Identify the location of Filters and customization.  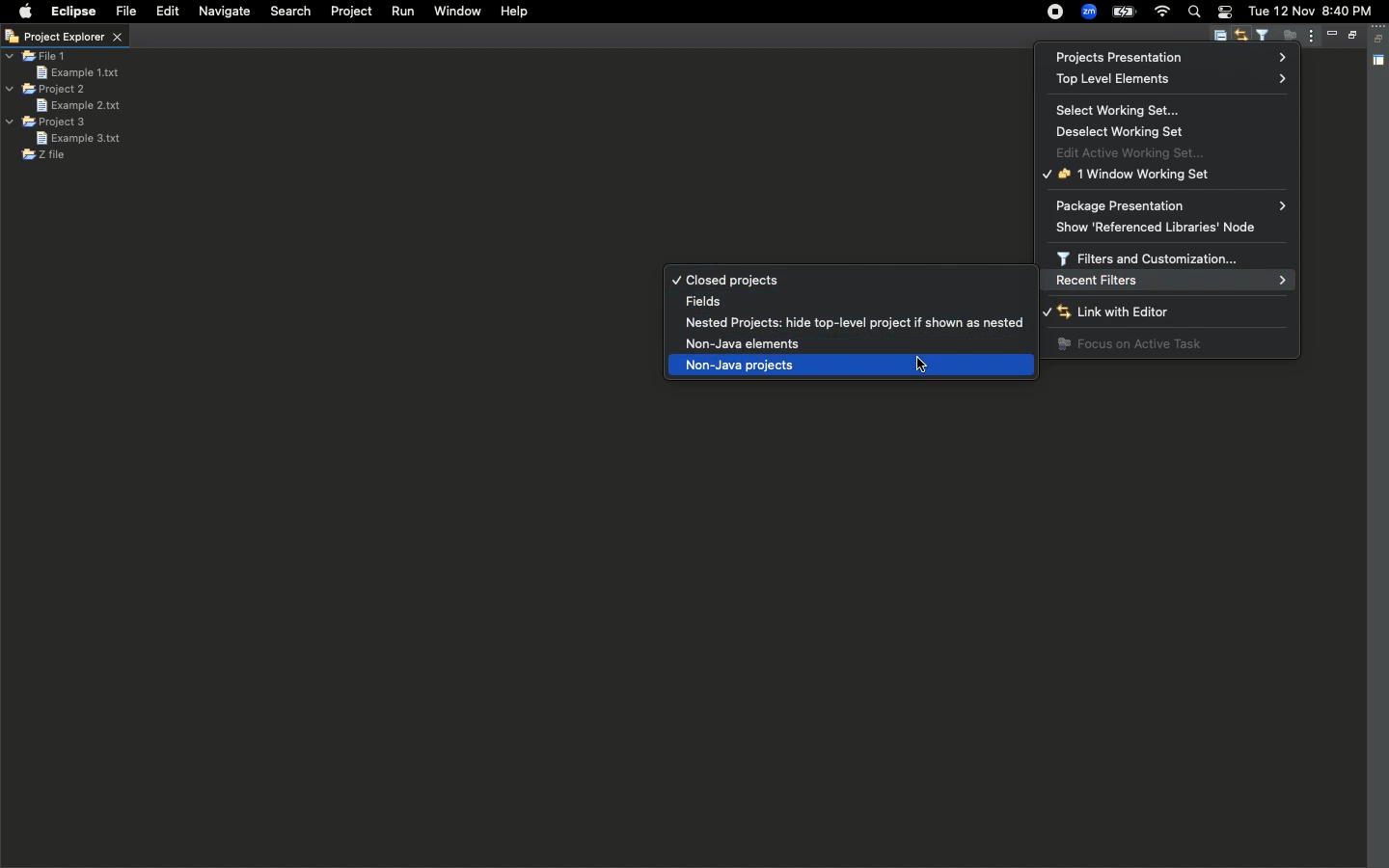
(1155, 258).